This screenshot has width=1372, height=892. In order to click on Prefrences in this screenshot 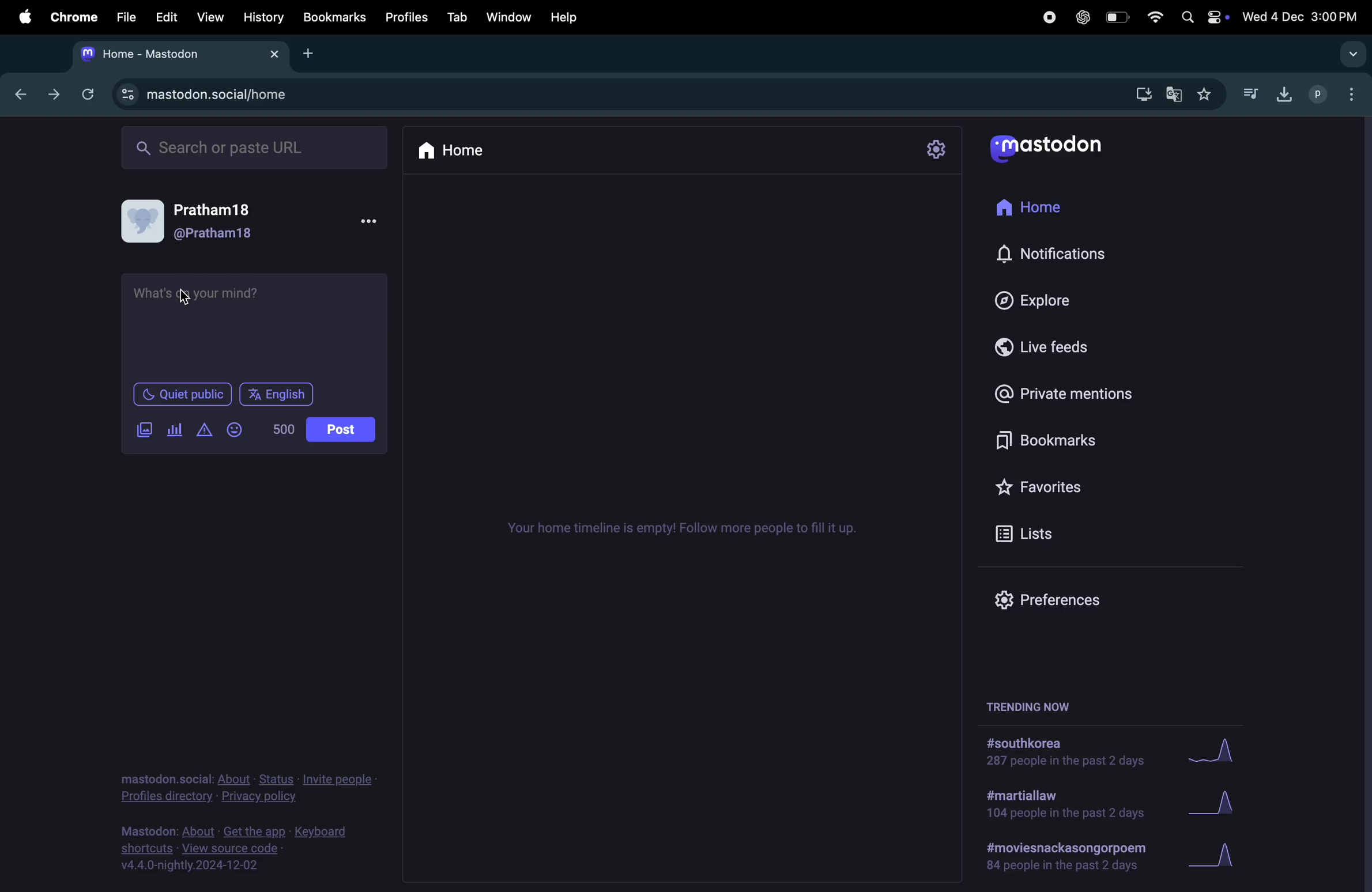, I will do `click(1060, 601)`.